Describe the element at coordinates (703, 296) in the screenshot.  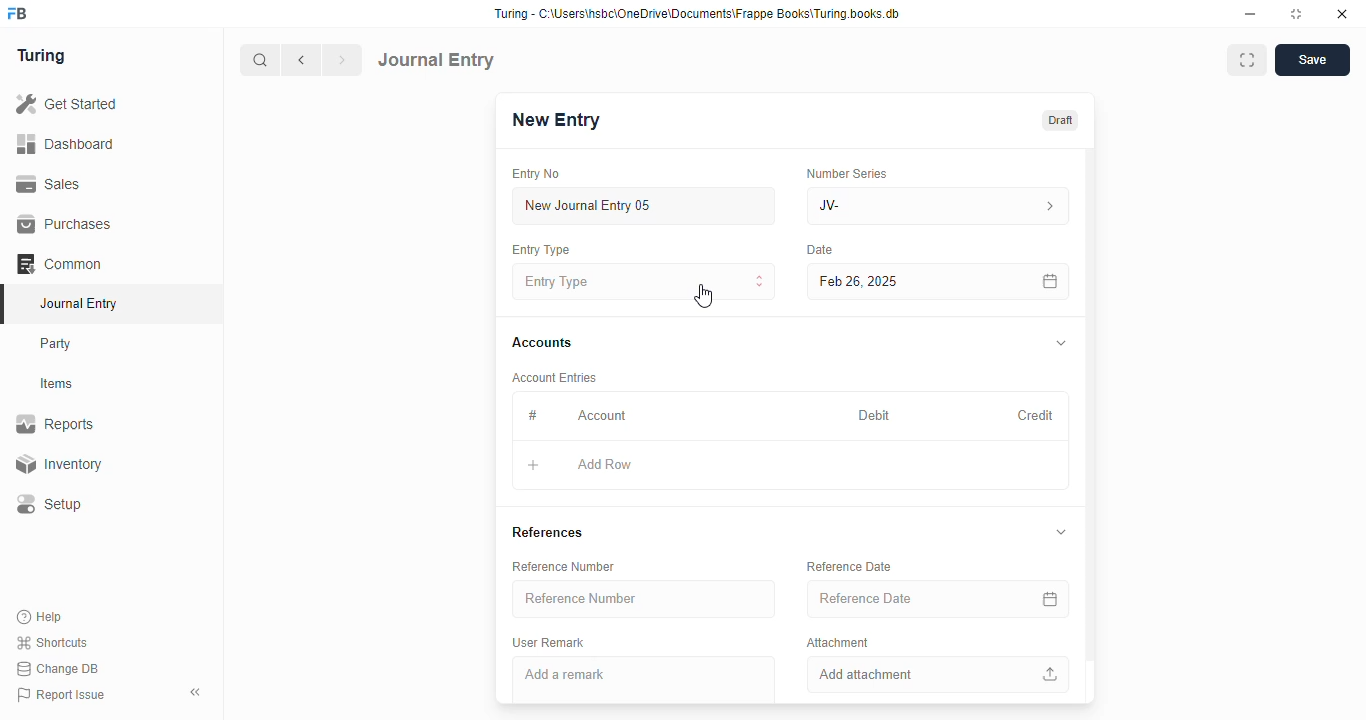
I see `cursor` at that location.